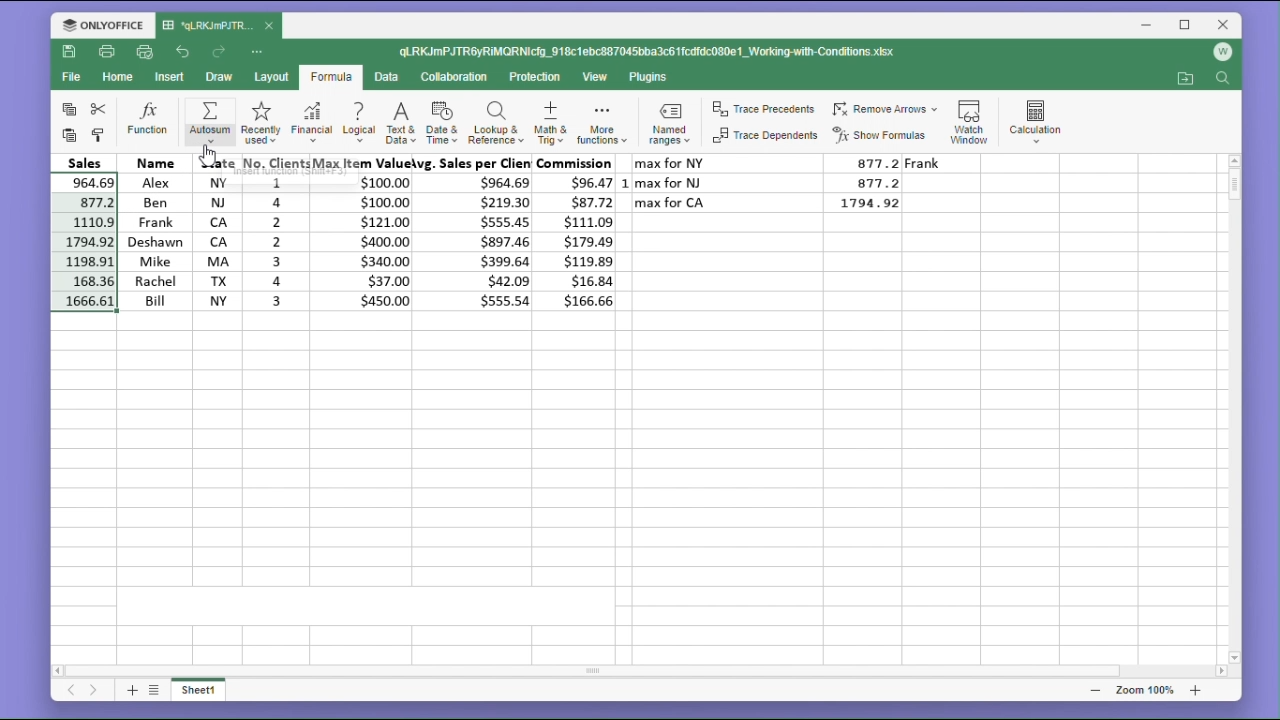 The height and width of the screenshot is (720, 1280). I want to click on quick print, so click(146, 53).